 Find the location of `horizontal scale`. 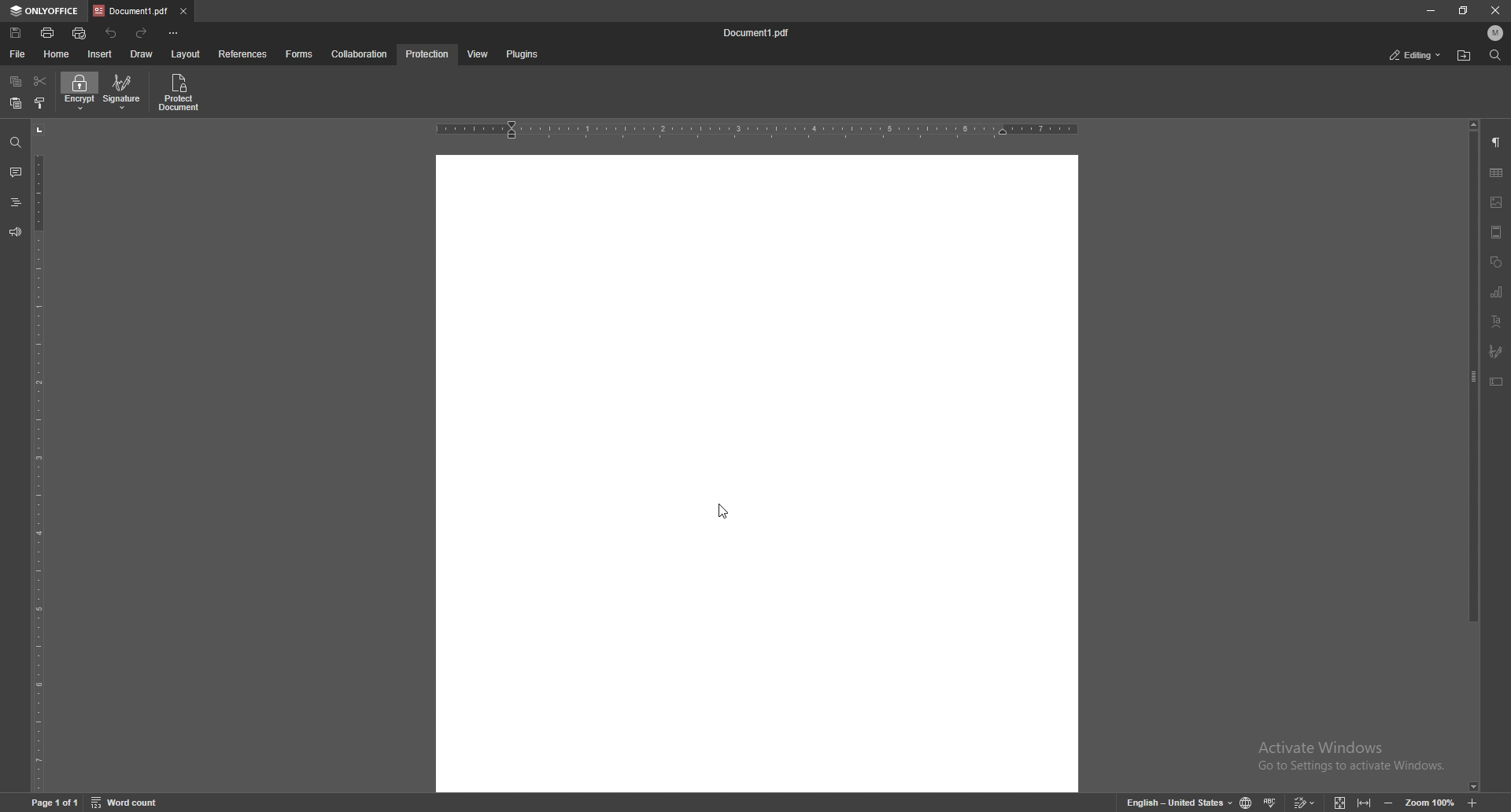

horizontal scale is located at coordinates (756, 129).